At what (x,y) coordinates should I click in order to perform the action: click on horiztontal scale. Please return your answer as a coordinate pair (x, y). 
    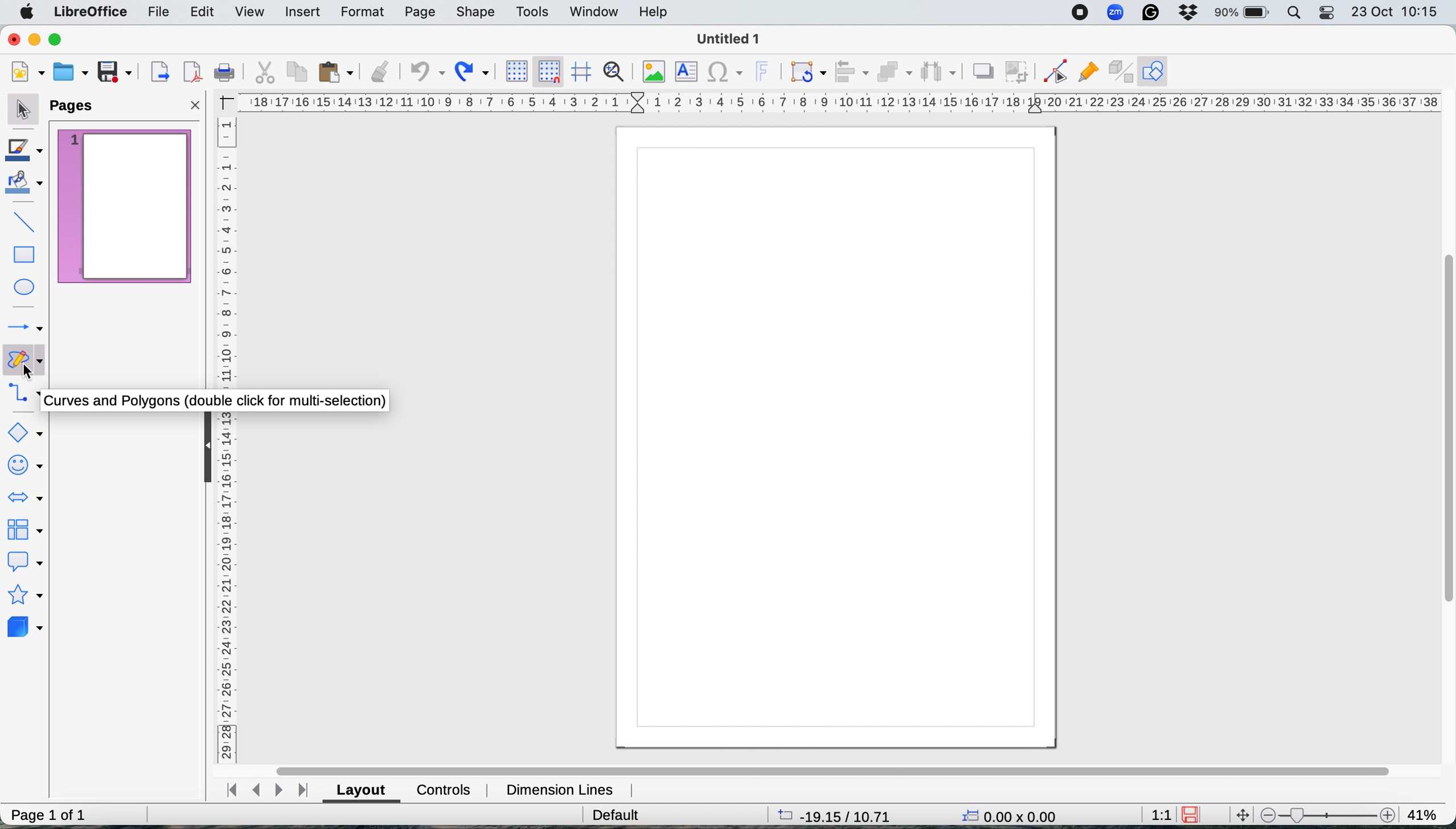
    Looking at the image, I should click on (839, 102).